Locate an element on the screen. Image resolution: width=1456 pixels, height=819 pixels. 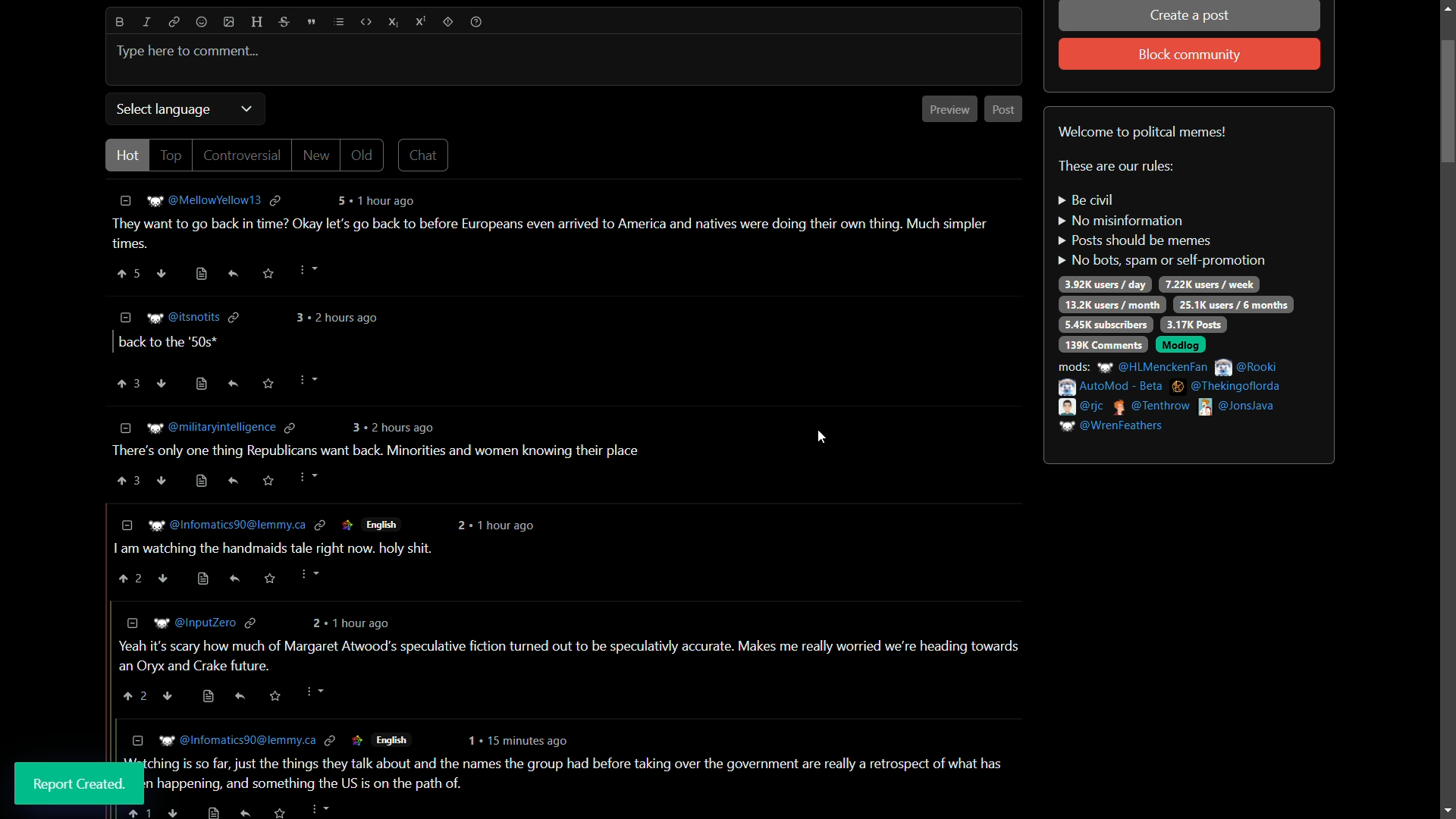
create a post is located at coordinates (1191, 17).